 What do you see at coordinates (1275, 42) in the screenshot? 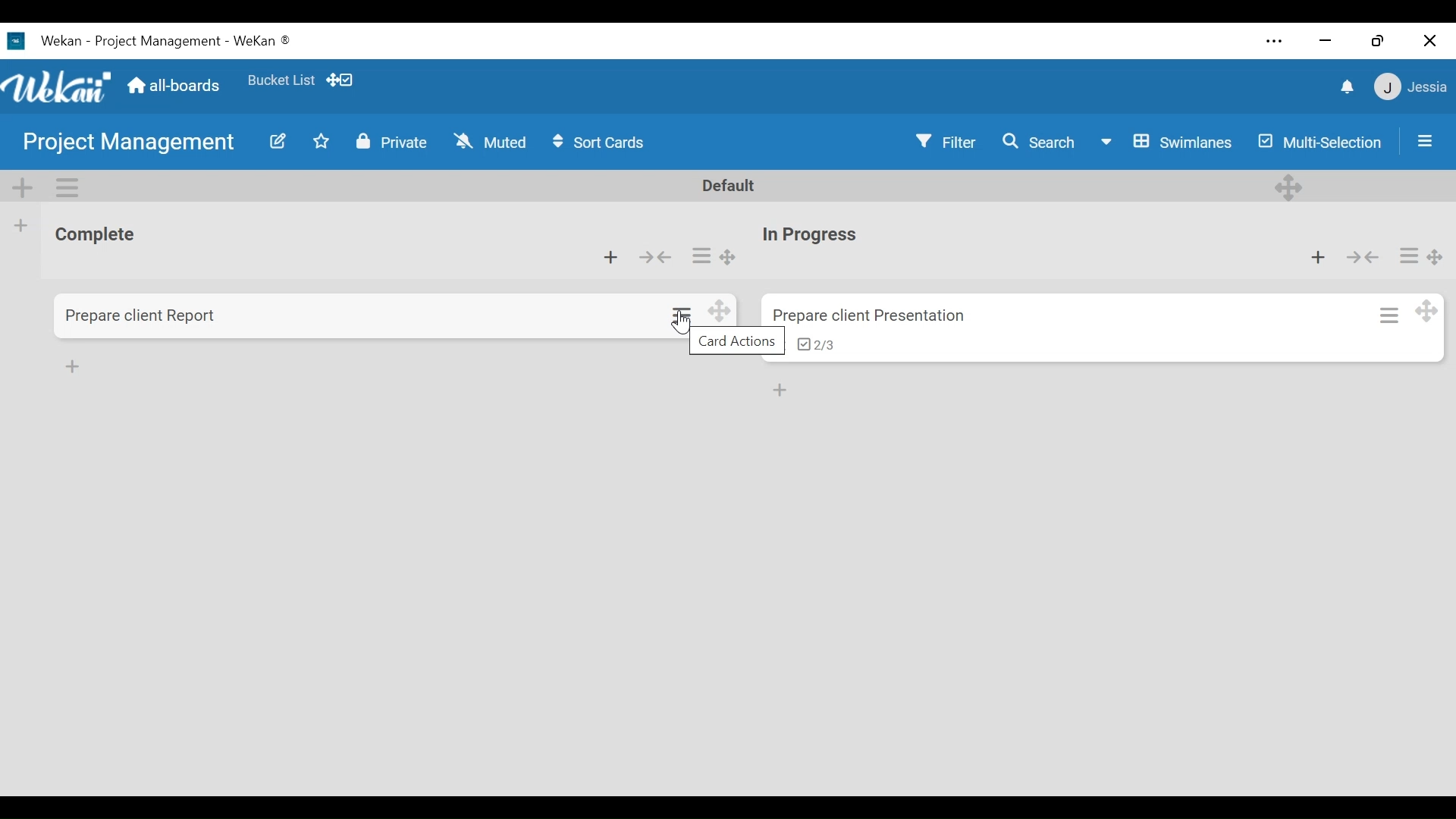
I see `Settings and more` at bounding box center [1275, 42].